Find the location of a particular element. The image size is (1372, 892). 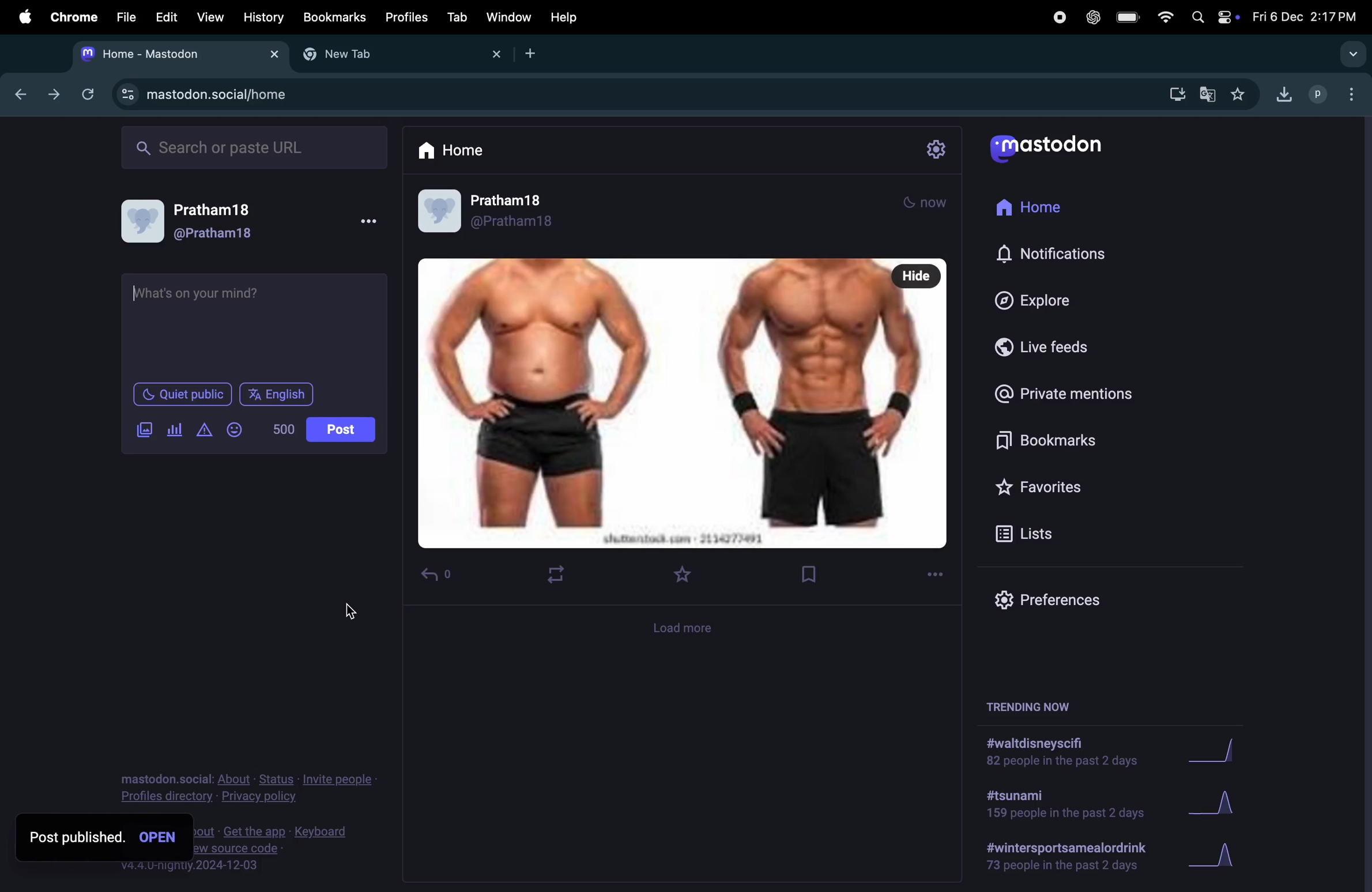

downloads is located at coordinates (1284, 92).